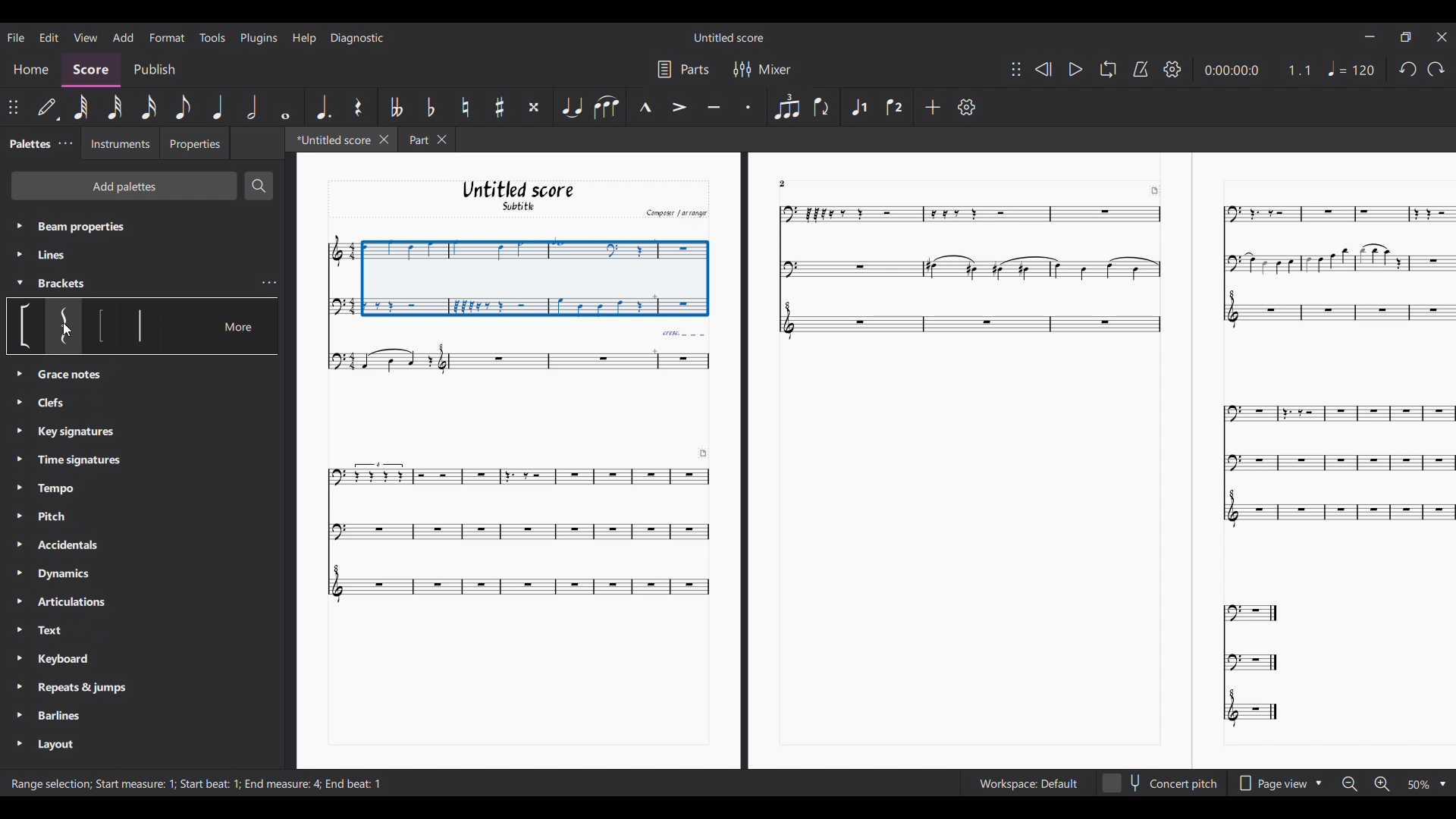 Image resolution: width=1456 pixels, height=819 pixels. Describe the element at coordinates (123, 38) in the screenshot. I see `Add` at that location.